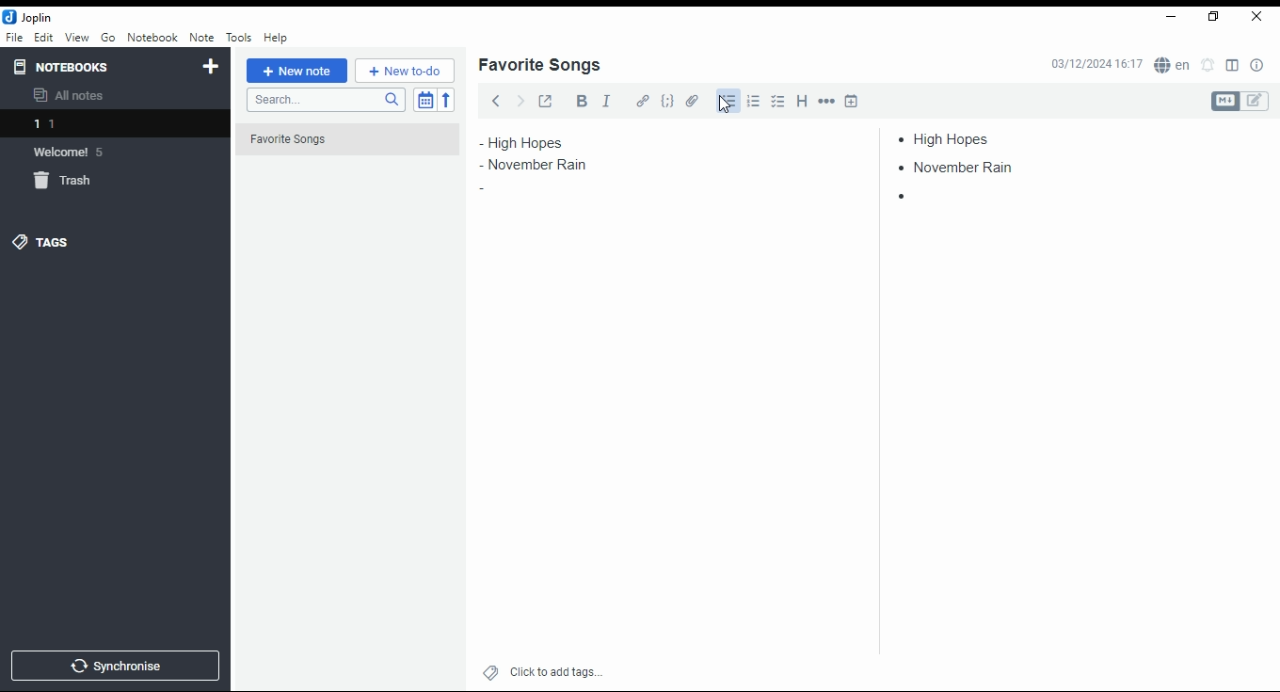 This screenshot has width=1280, height=692. I want to click on view, so click(77, 38).